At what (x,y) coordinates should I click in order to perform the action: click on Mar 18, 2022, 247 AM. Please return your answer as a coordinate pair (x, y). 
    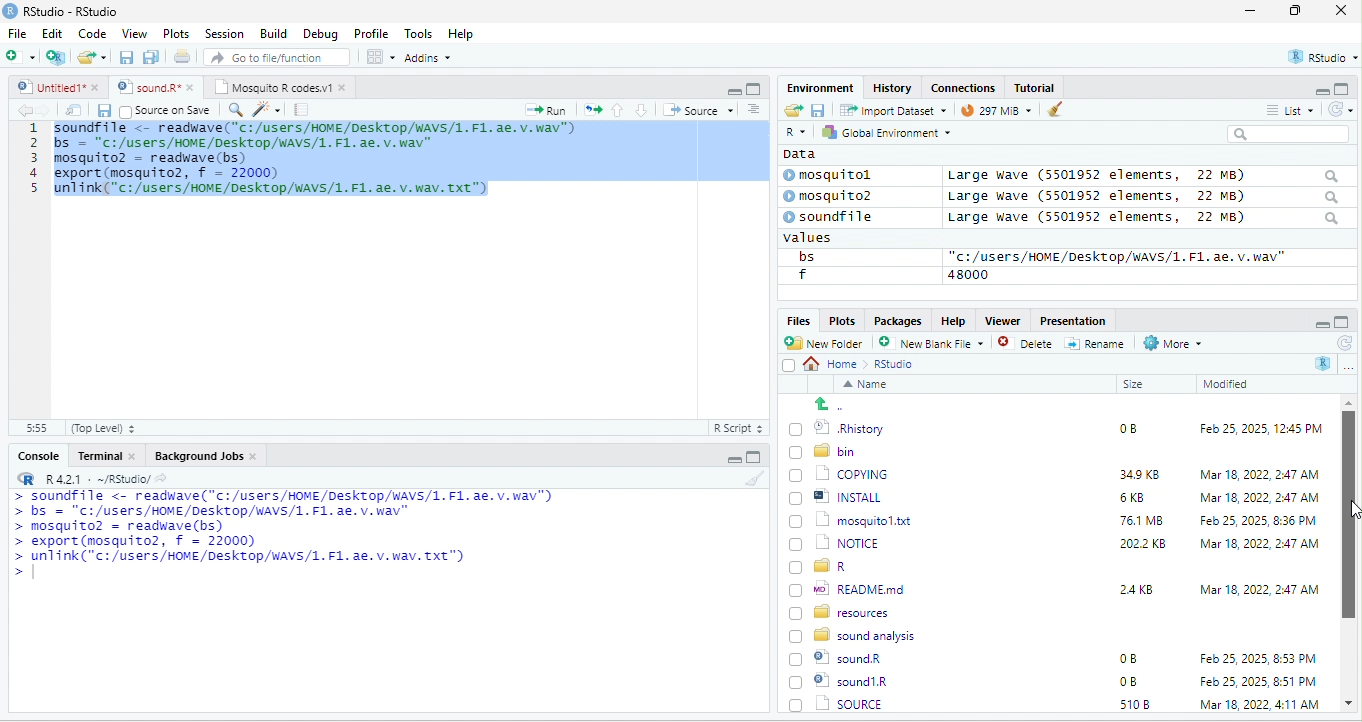
    Looking at the image, I should click on (1260, 474).